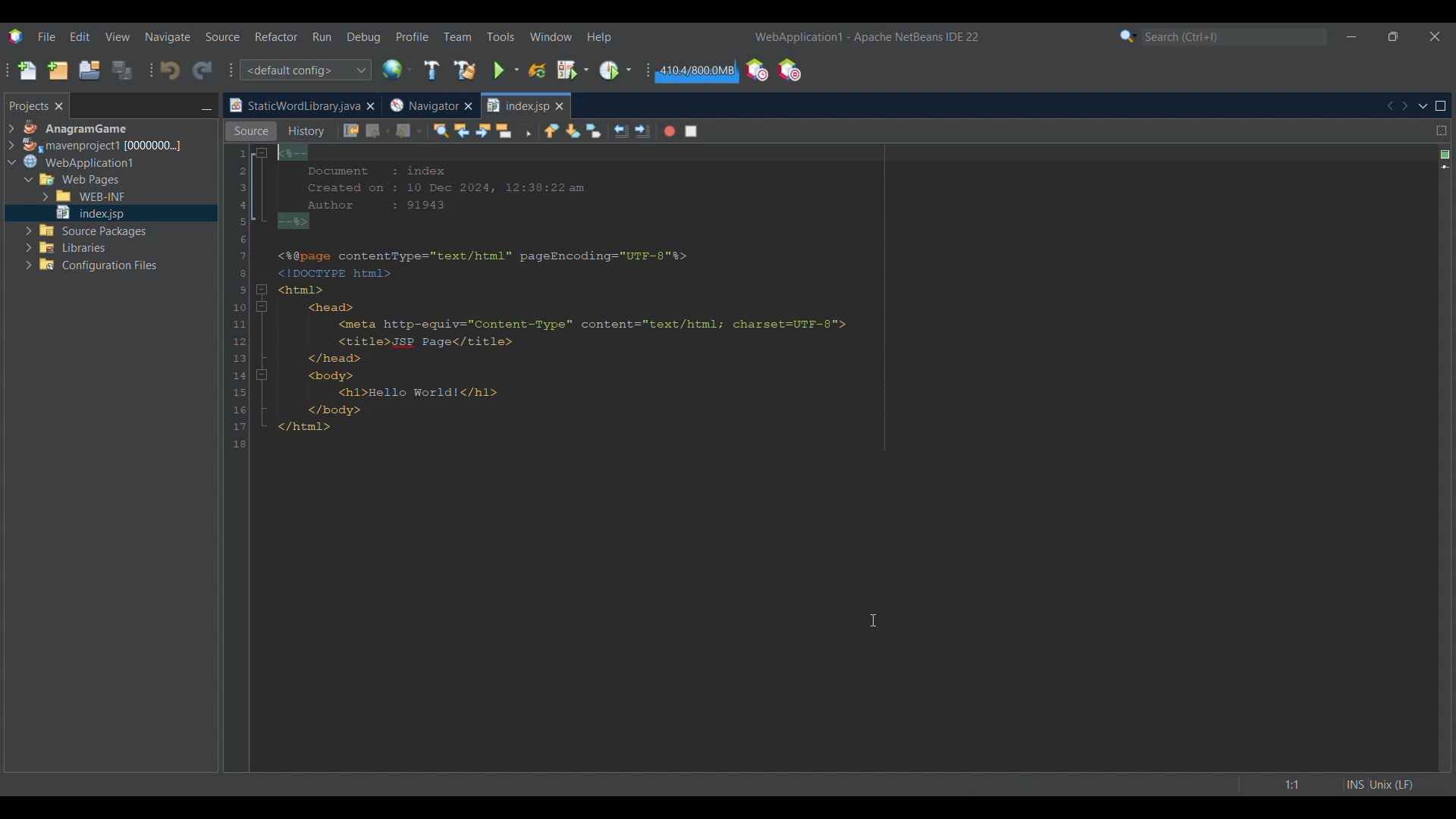  Describe the element at coordinates (1445, 155) in the screenshot. I see `4 warnings` at that location.